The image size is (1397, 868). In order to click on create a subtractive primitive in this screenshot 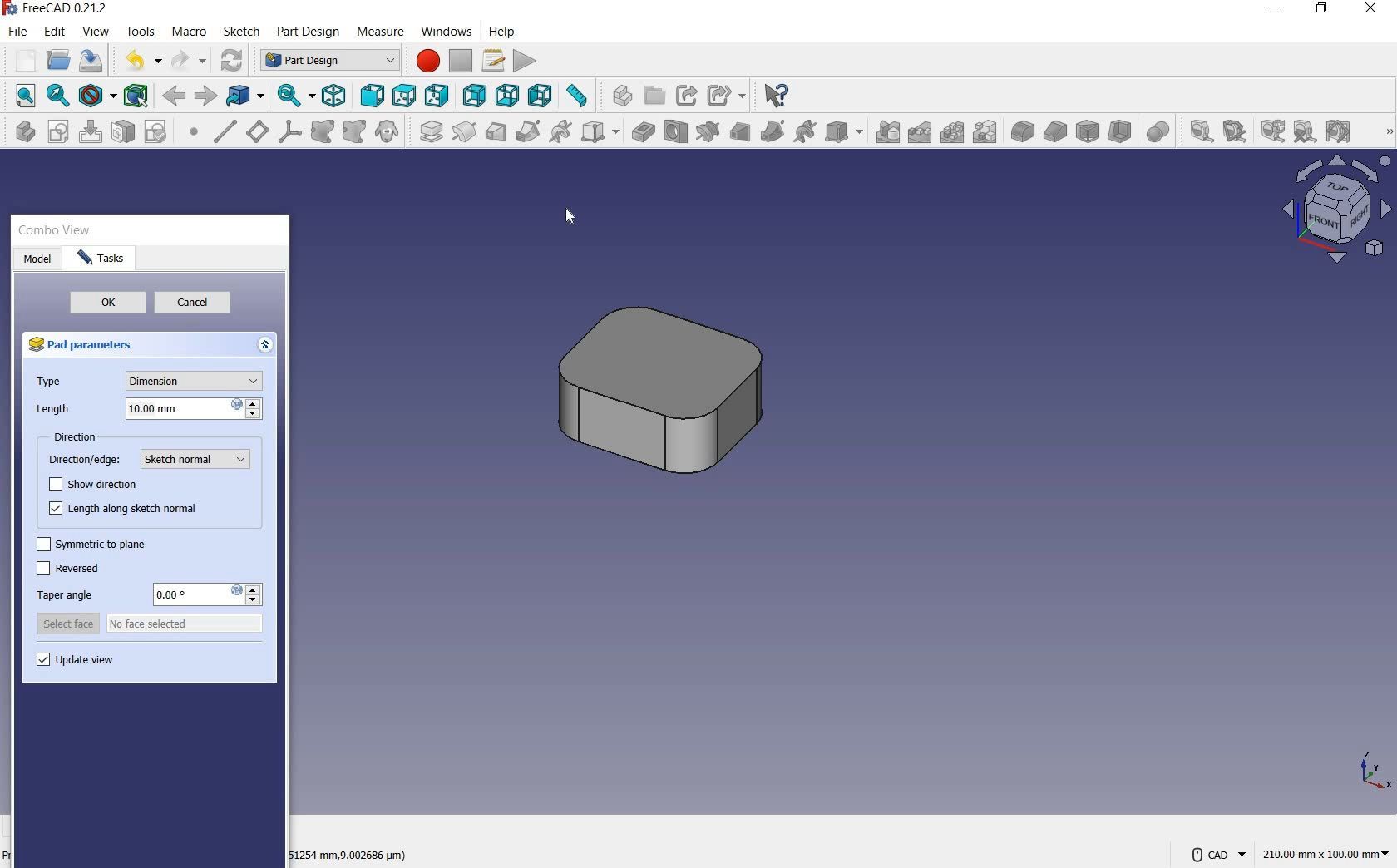, I will do `click(846, 131)`.